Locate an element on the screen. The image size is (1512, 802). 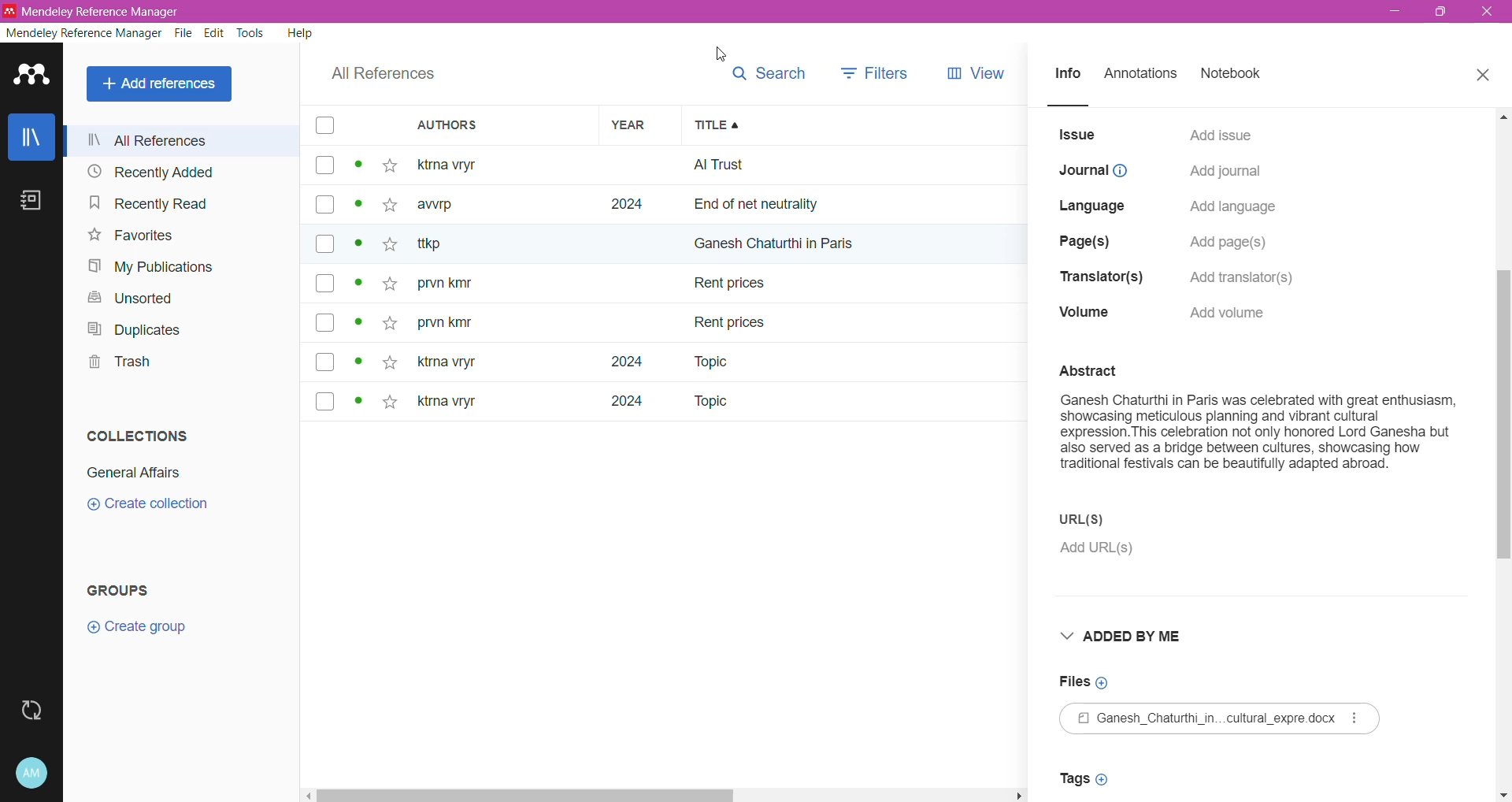
Click to add Journal is located at coordinates (1224, 173).